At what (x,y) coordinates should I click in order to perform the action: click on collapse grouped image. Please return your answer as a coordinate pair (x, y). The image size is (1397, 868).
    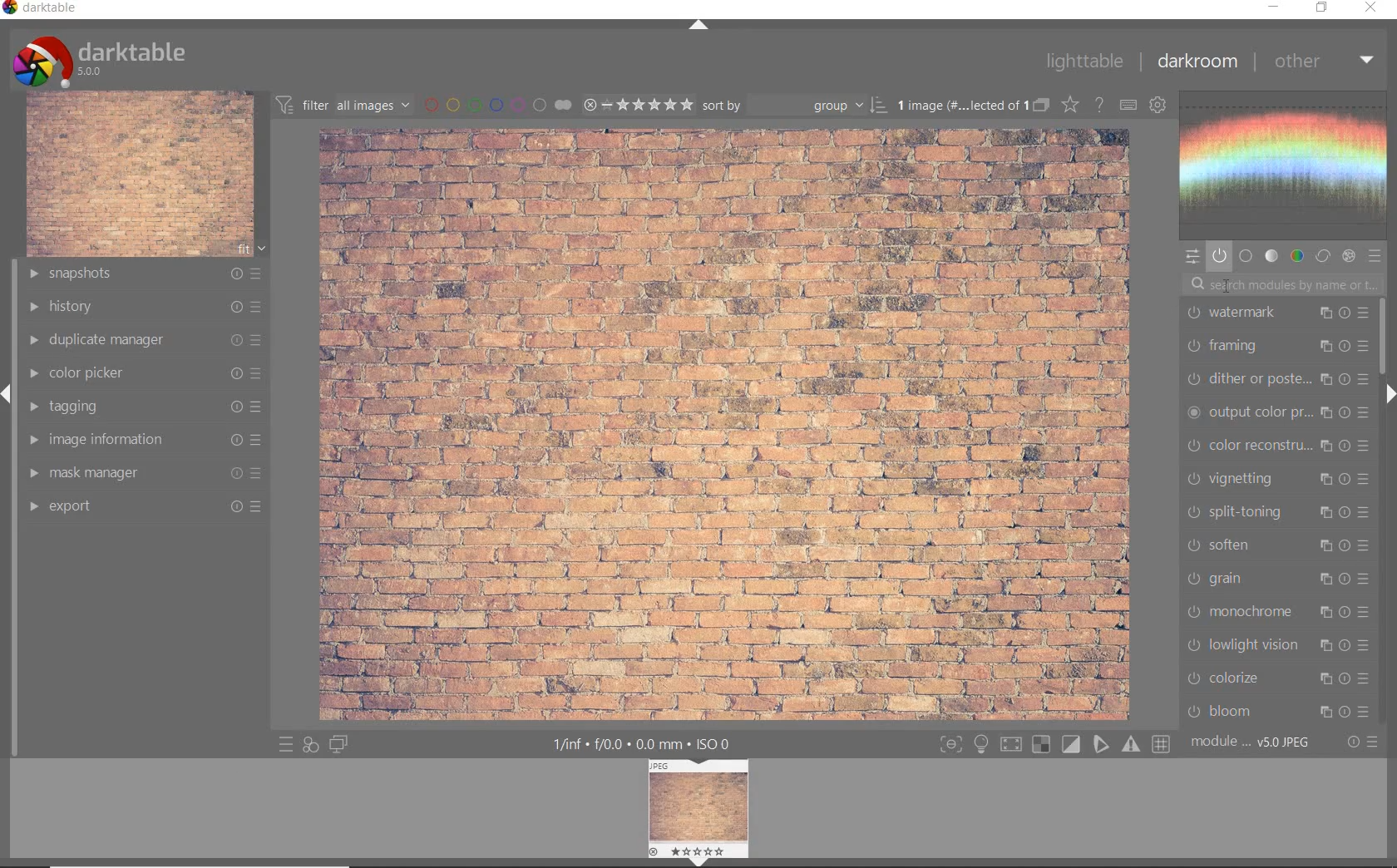
    Looking at the image, I should click on (1040, 106).